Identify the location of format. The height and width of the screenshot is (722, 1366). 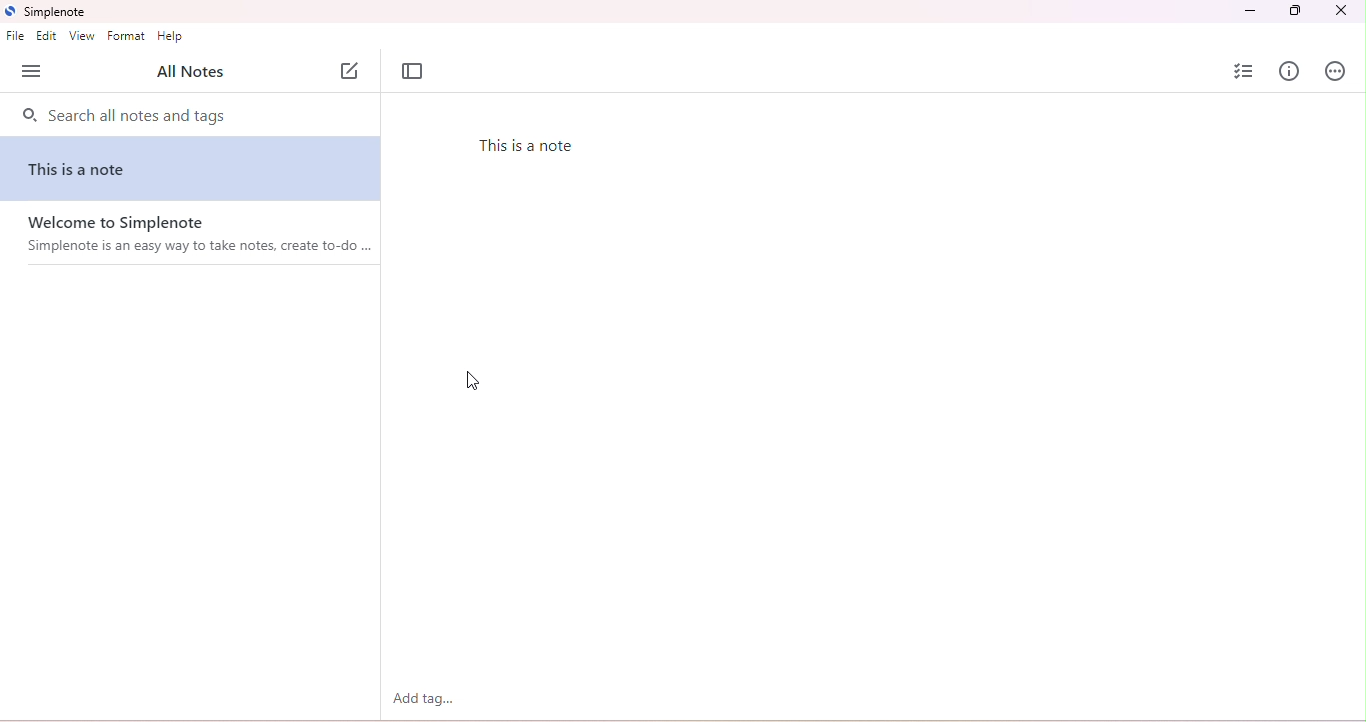
(126, 36).